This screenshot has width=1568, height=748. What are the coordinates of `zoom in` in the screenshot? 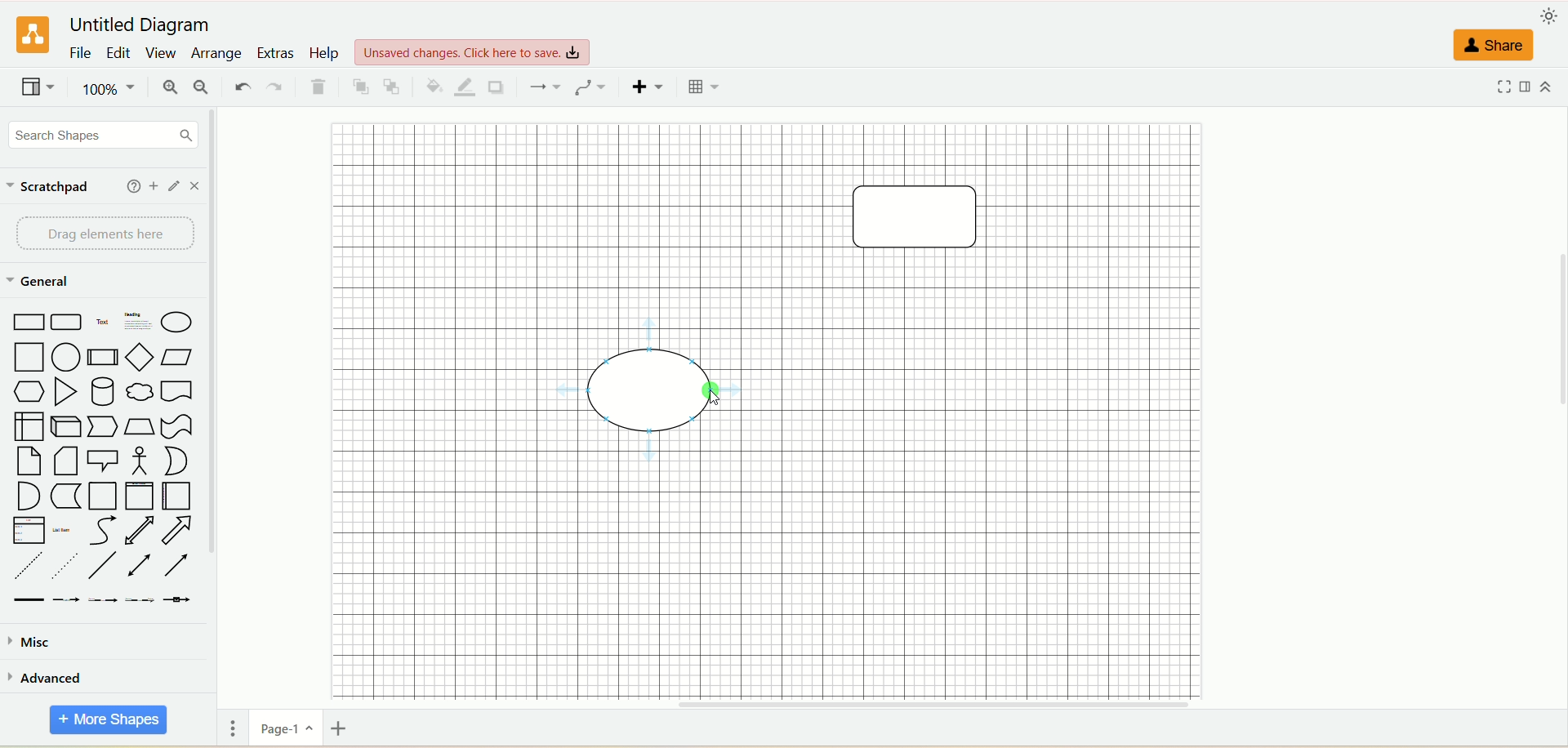 It's located at (172, 89).